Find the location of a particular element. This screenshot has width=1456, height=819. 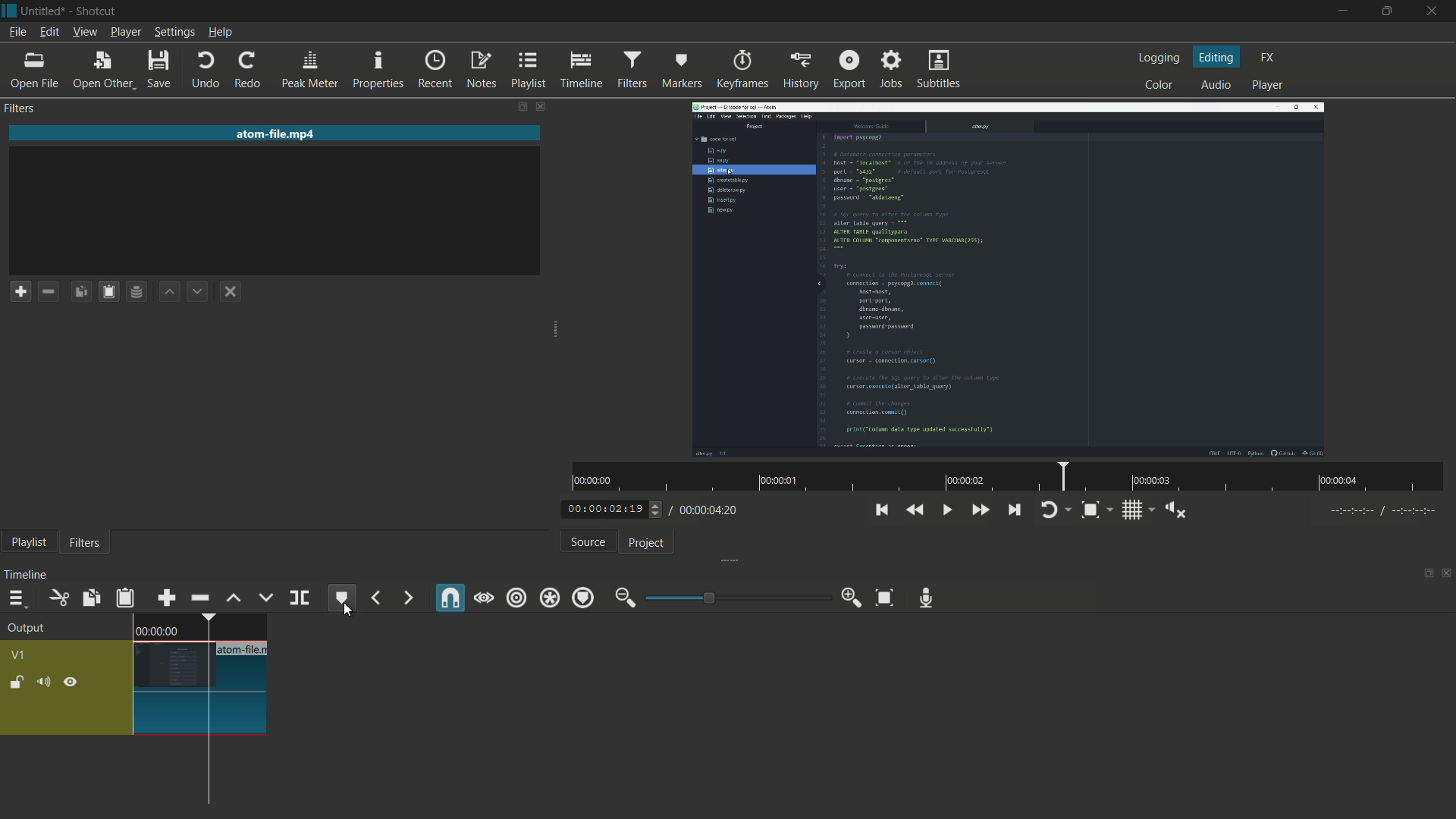

timeline is located at coordinates (23, 573).